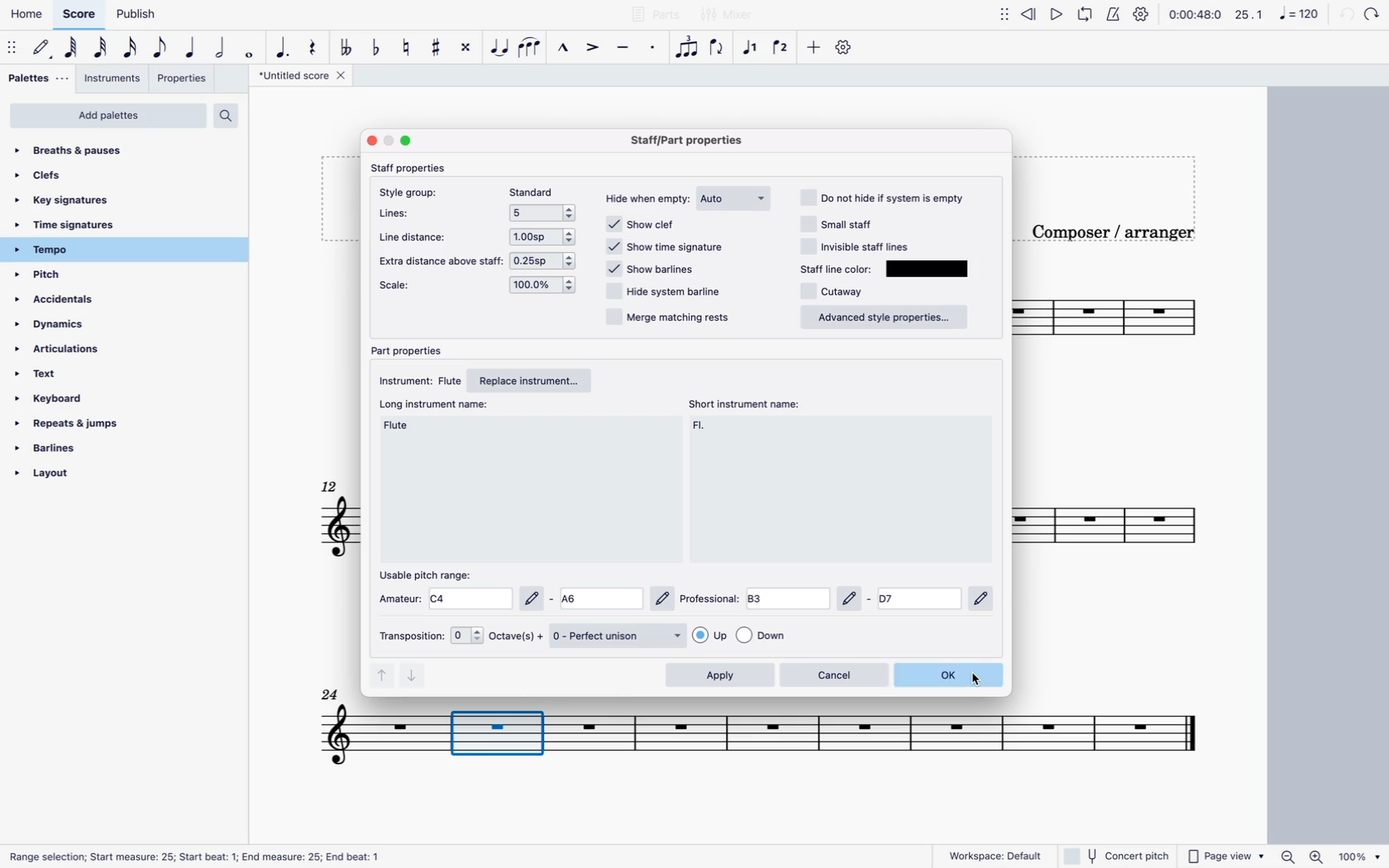 This screenshot has height=868, width=1389. I want to click on eighth note, so click(160, 47).